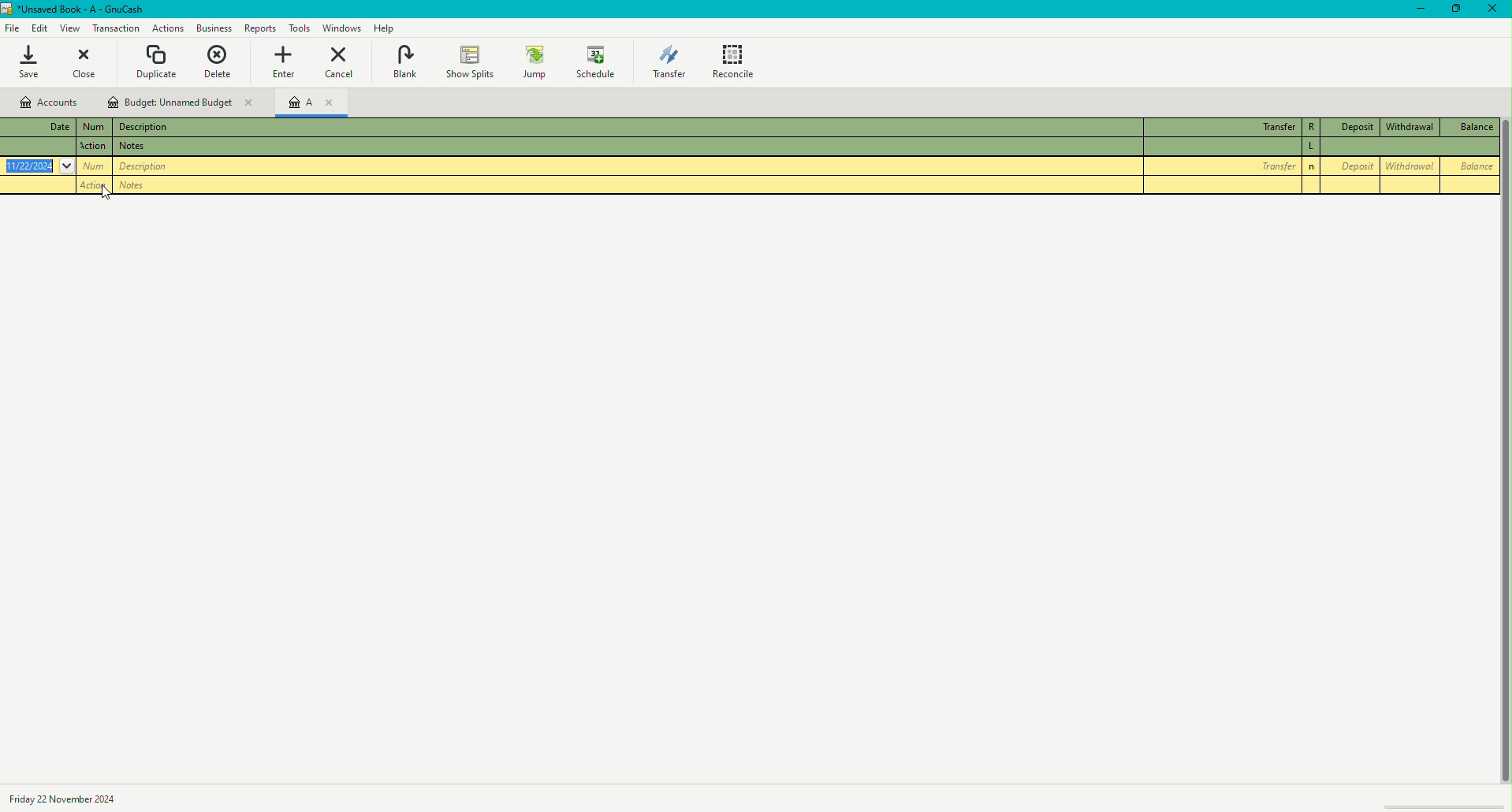 The image size is (1512, 812). Describe the element at coordinates (95, 148) in the screenshot. I see `Num` at that location.